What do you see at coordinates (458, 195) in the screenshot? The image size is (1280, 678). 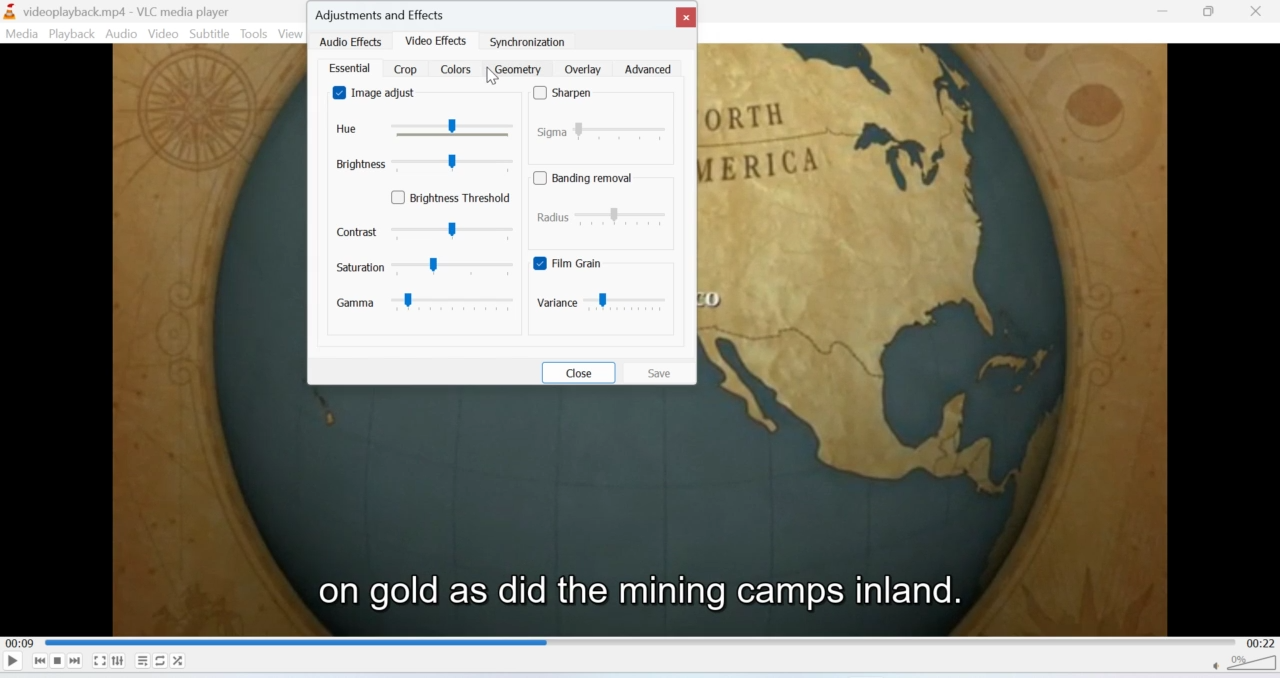 I see `brightness treshold` at bounding box center [458, 195].